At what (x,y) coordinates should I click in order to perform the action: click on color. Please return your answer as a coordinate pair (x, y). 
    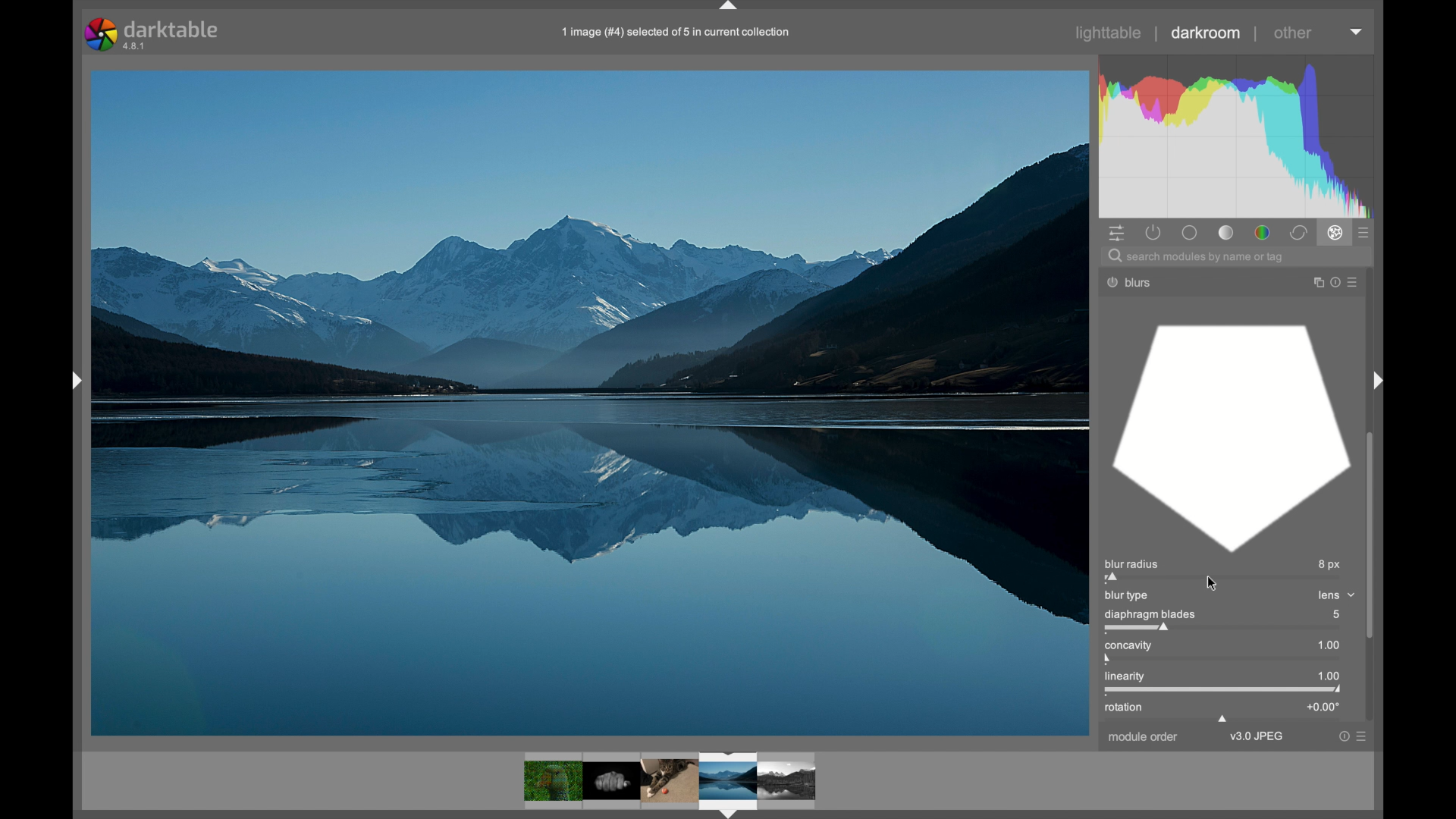
    Looking at the image, I should click on (1261, 232).